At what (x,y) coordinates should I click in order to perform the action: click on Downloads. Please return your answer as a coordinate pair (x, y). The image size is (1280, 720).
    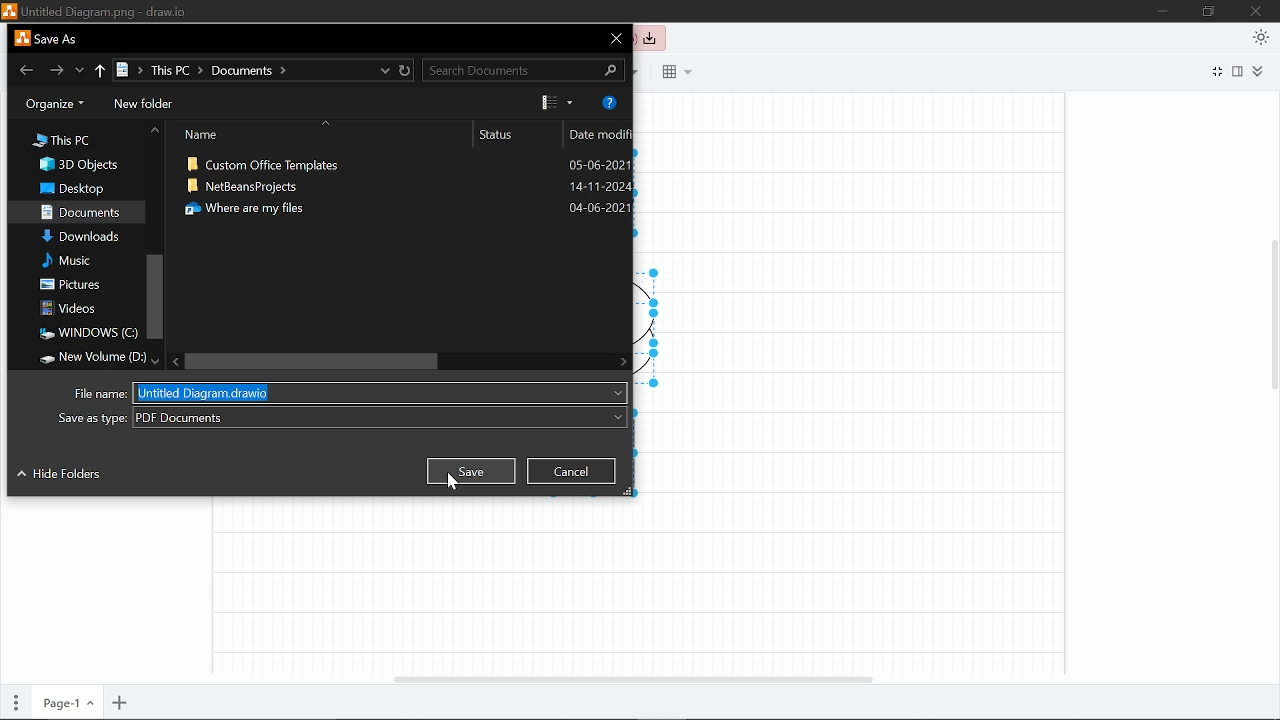
    Looking at the image, I should click on (84, 238).